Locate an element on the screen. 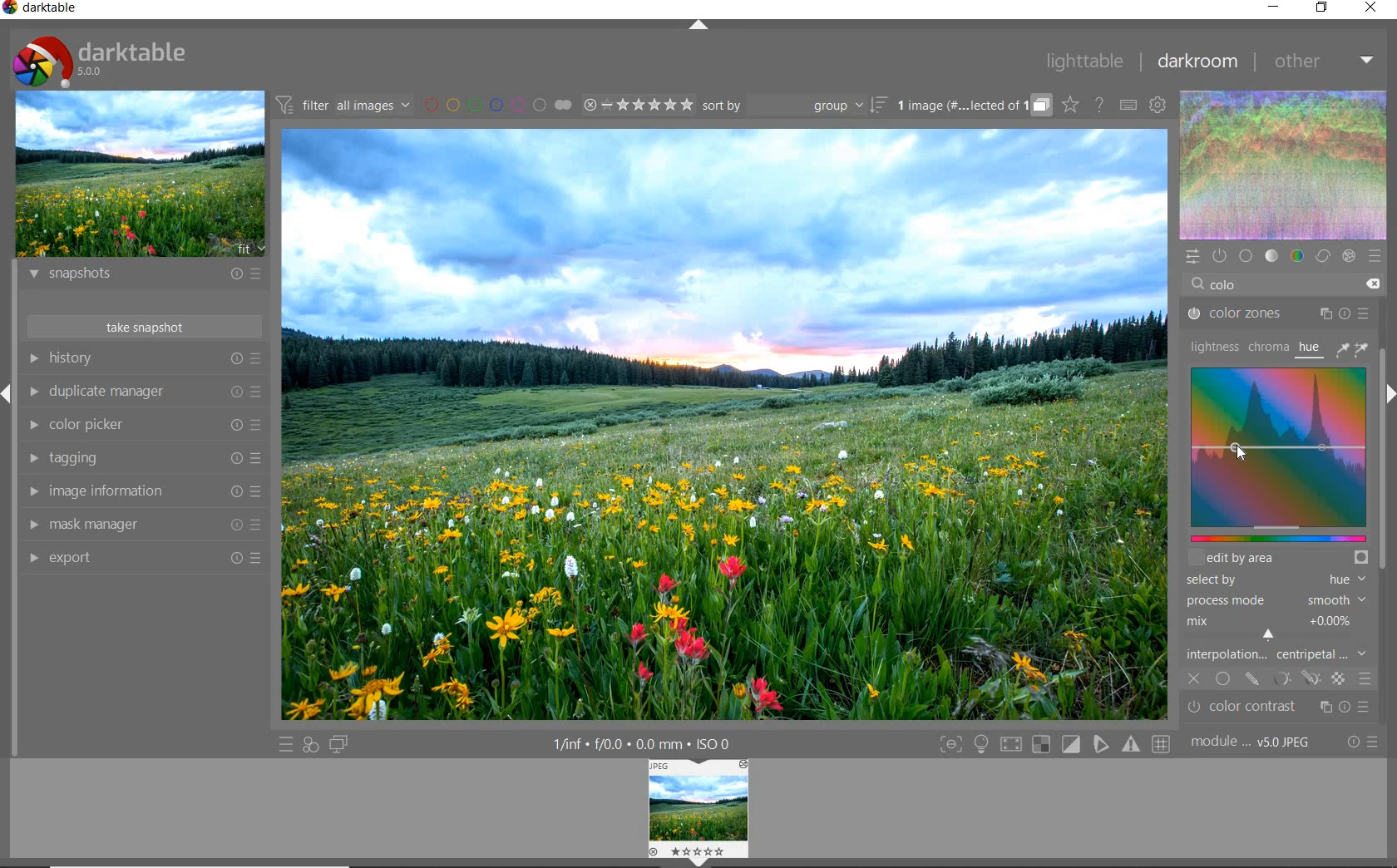  expand/collapse is located at coordinates (701, 26).